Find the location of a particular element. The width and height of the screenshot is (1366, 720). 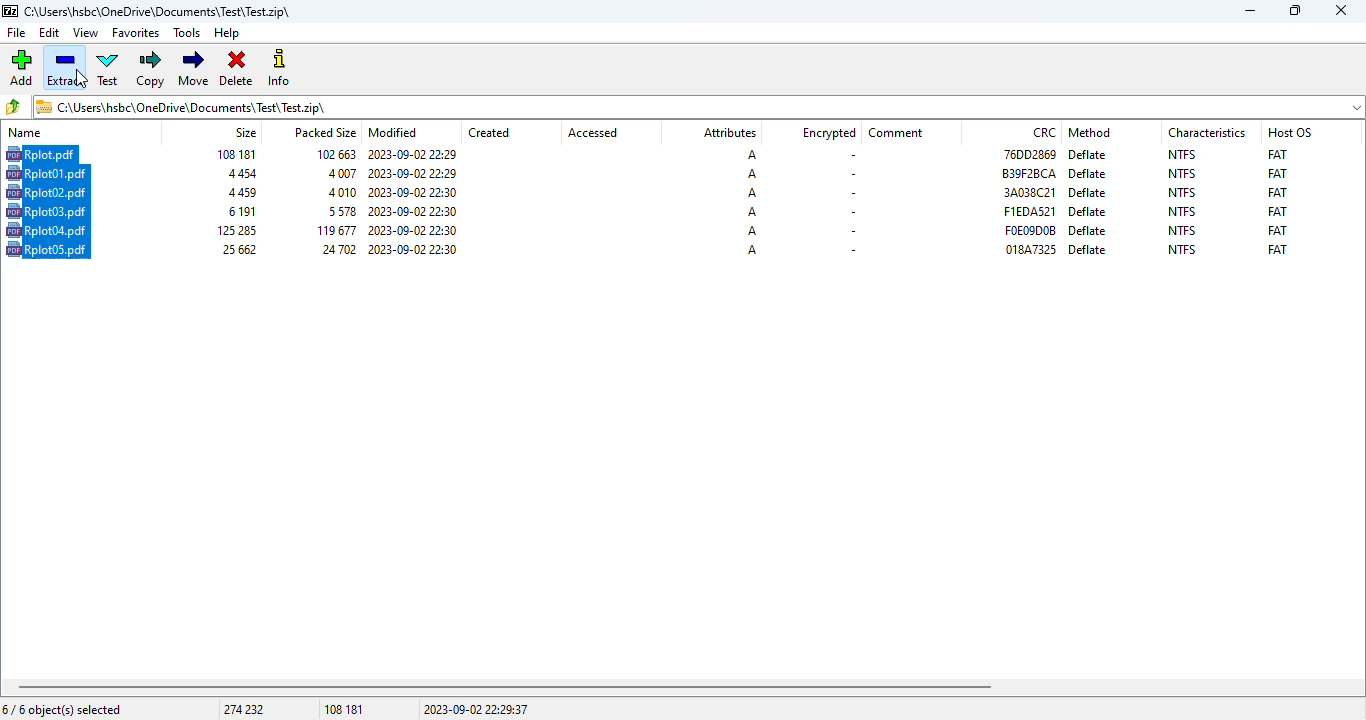

A is located at coordinates (752, 211).